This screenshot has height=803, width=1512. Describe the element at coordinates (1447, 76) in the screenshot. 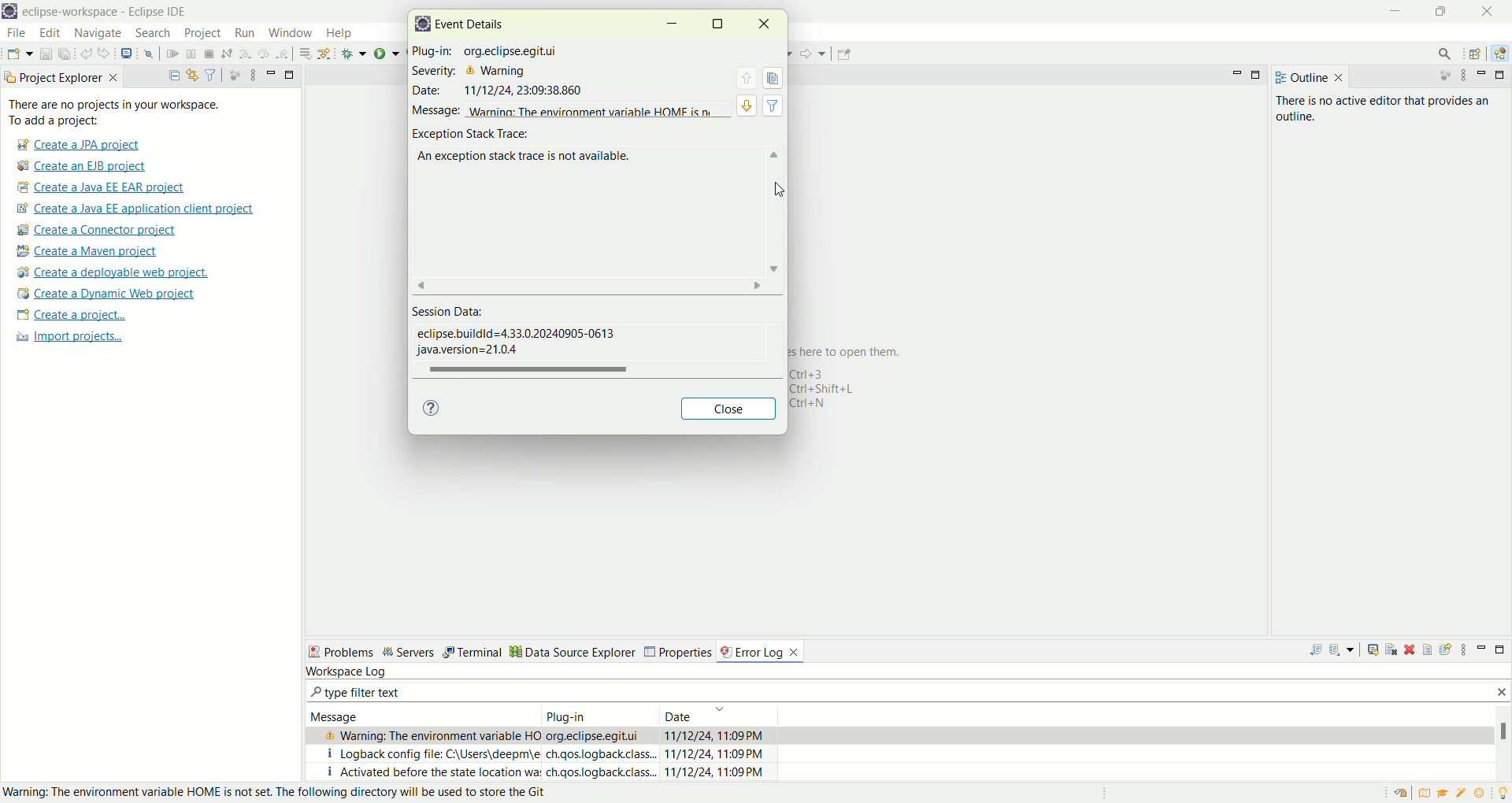

I see `focus on active task` at that location.